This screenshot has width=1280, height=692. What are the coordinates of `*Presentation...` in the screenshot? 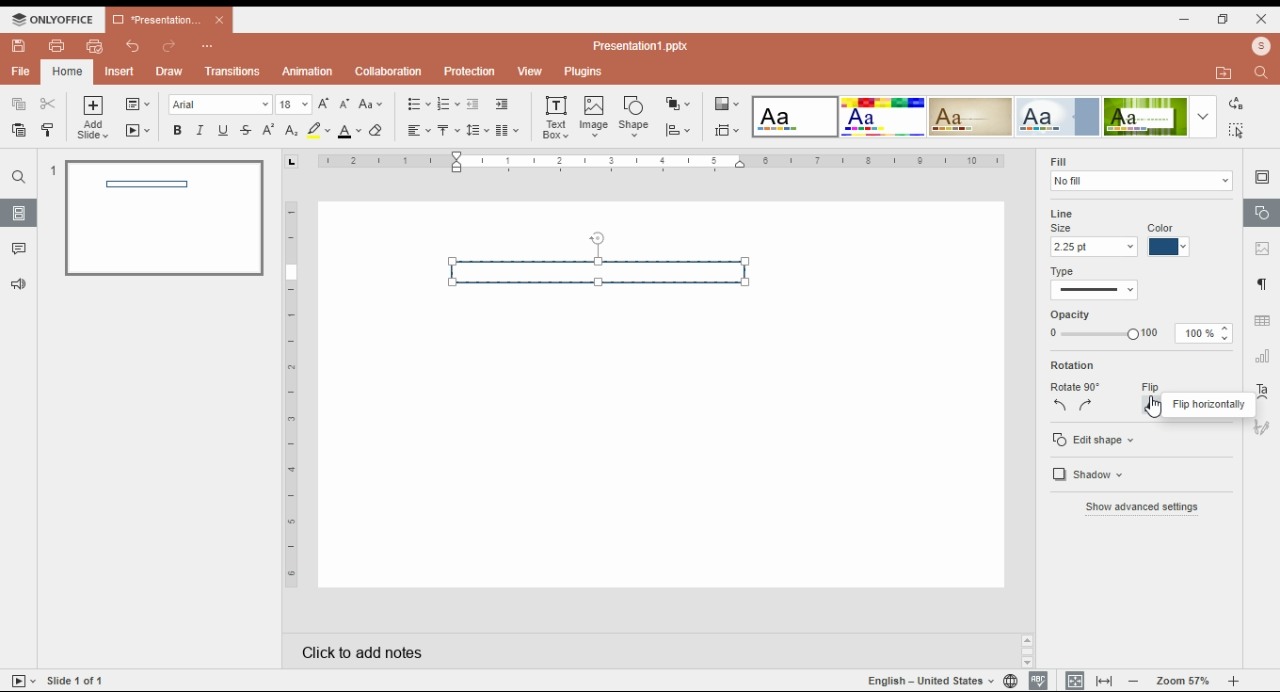 It's located at (152, 19).